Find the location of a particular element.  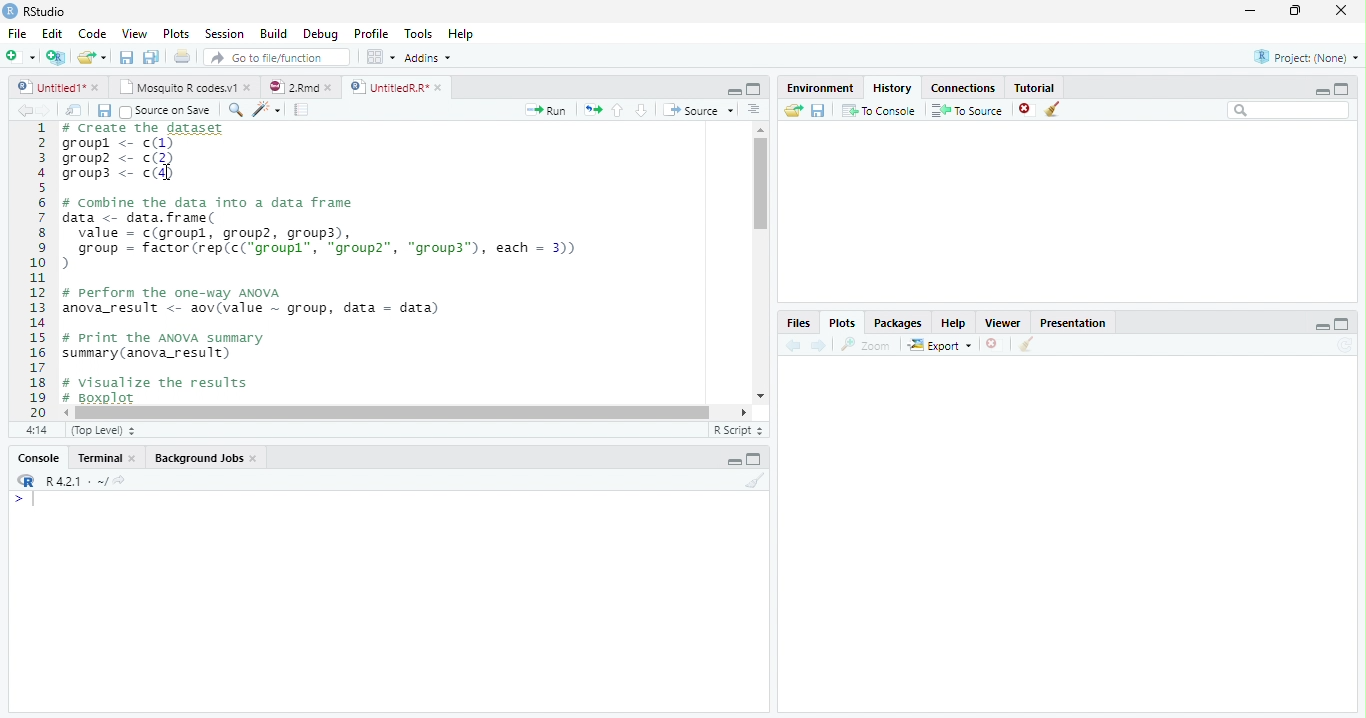

debug is located at coordinates (323, 35).